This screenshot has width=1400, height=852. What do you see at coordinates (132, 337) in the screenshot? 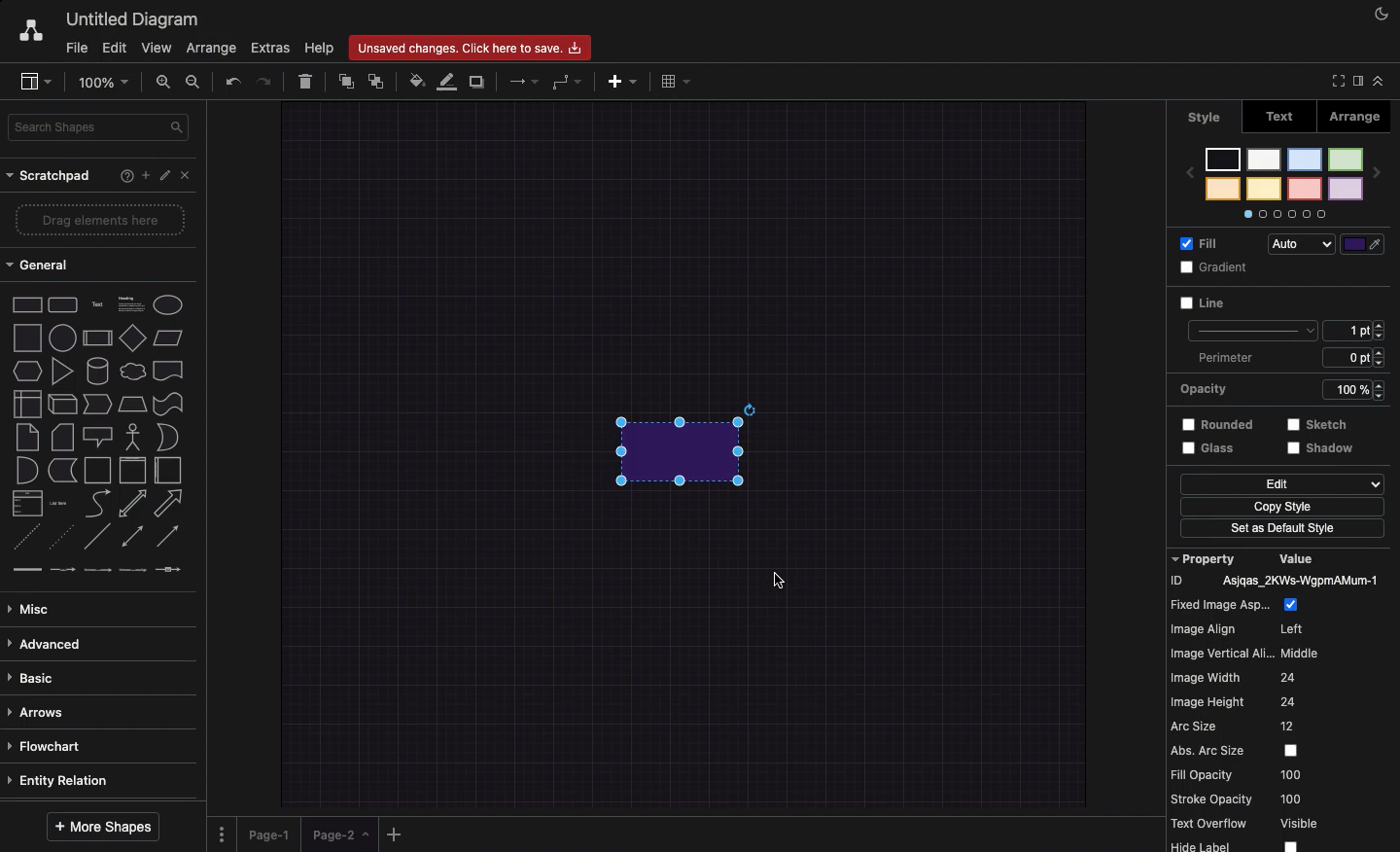
I see `` at bounding box center [132, 337].